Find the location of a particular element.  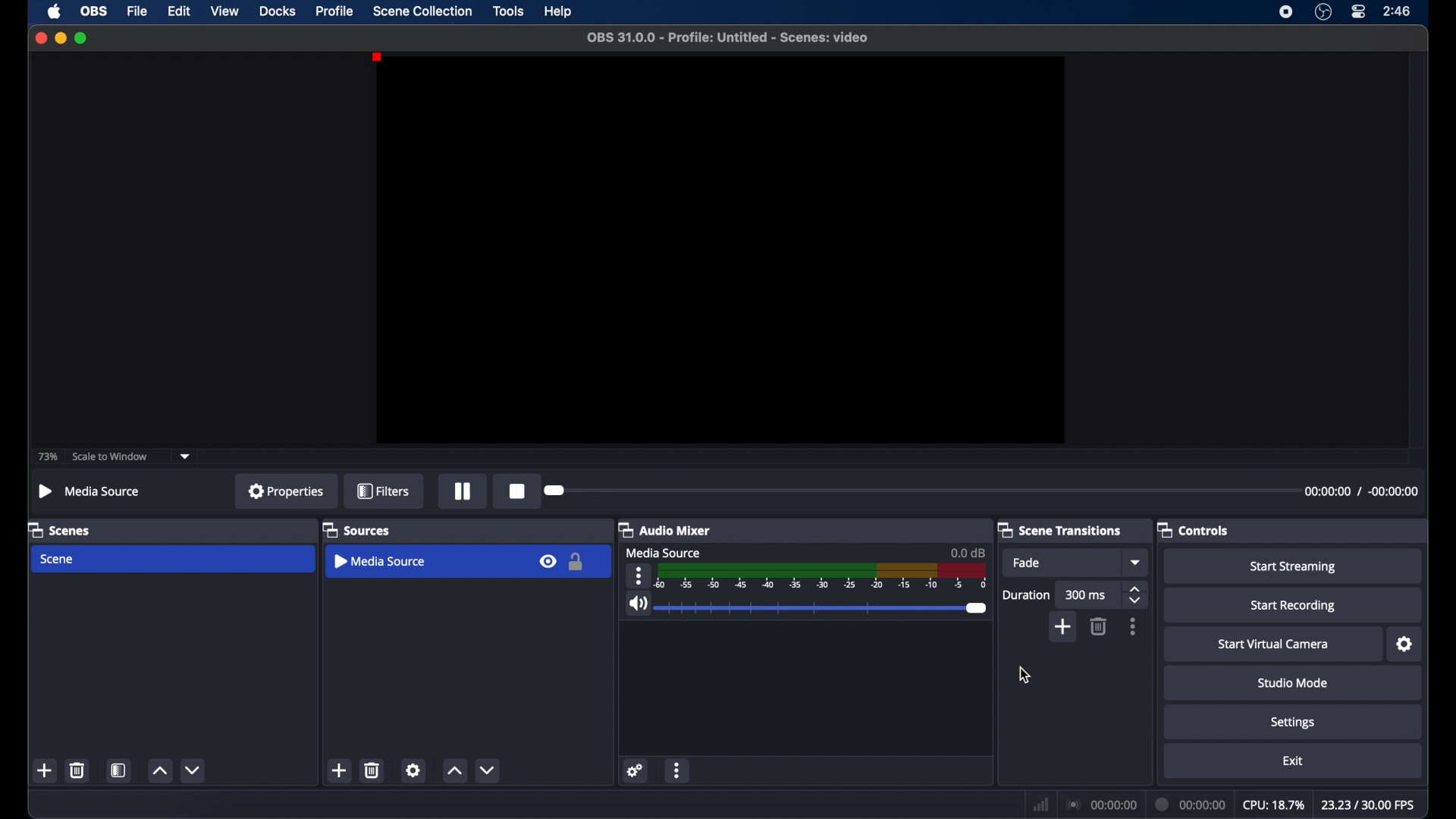

Stop is located at coordinates (512, 490).